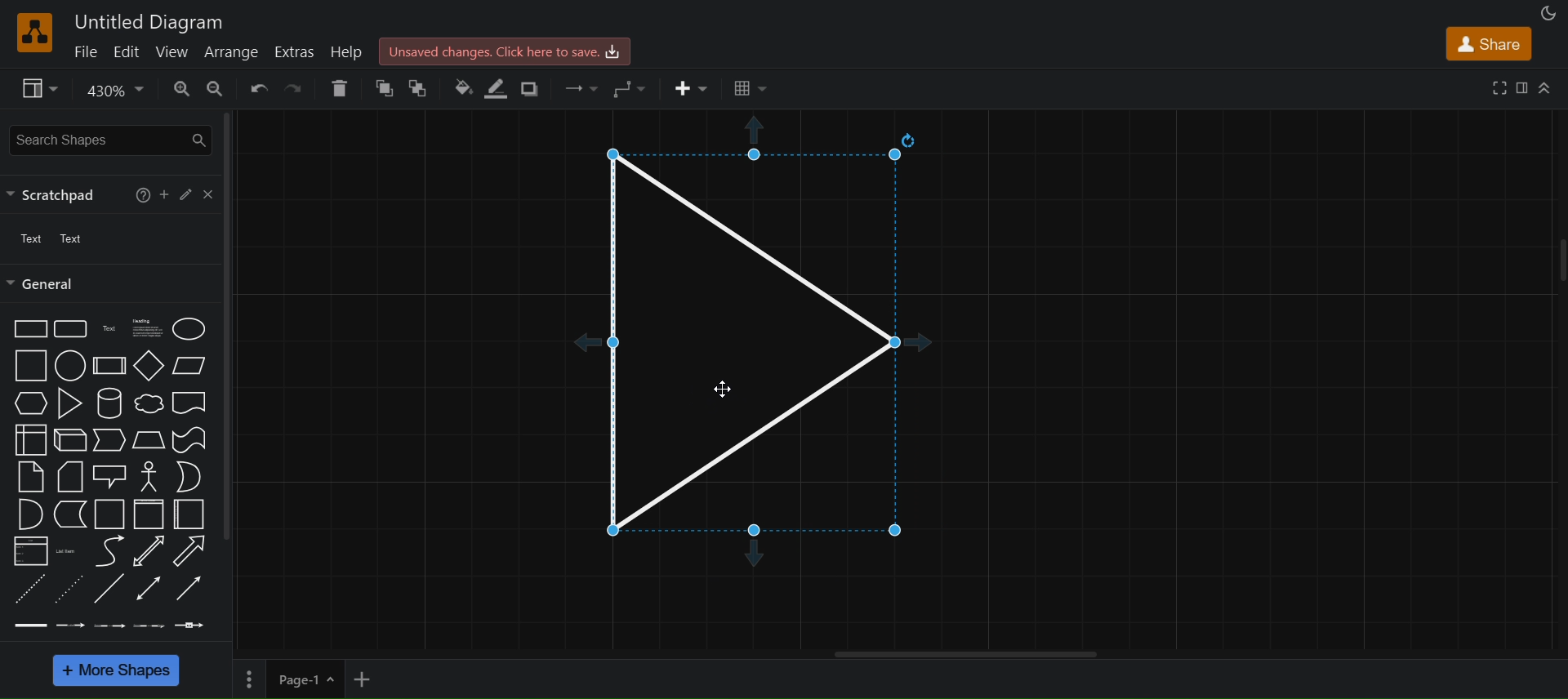 The width and height of the screenshot is (1568, 699). I want to click on help, so click(140, 194).